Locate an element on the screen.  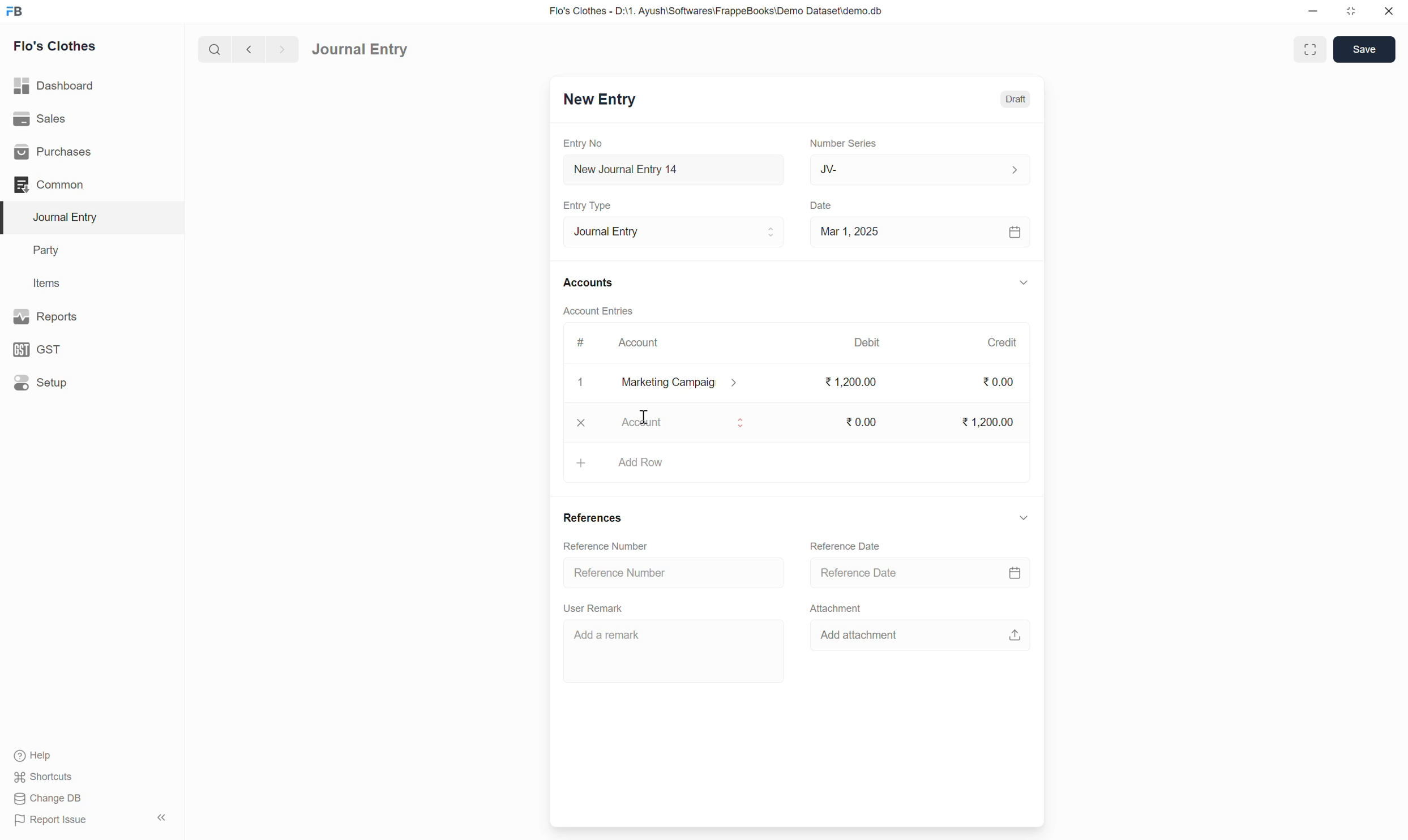
account is located at coordinates (644, 422).